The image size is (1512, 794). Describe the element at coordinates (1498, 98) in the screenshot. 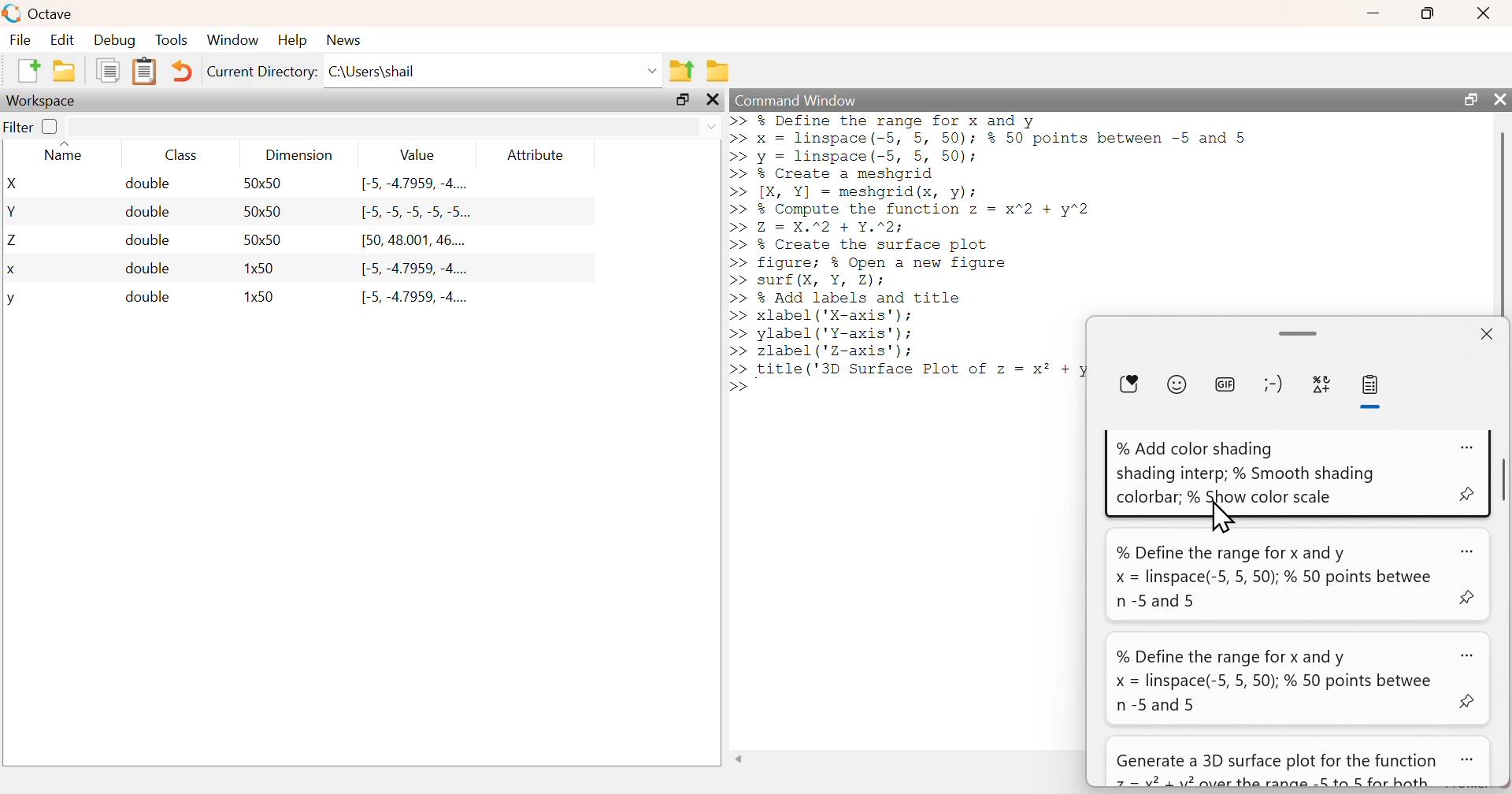

I see `close` at that location.